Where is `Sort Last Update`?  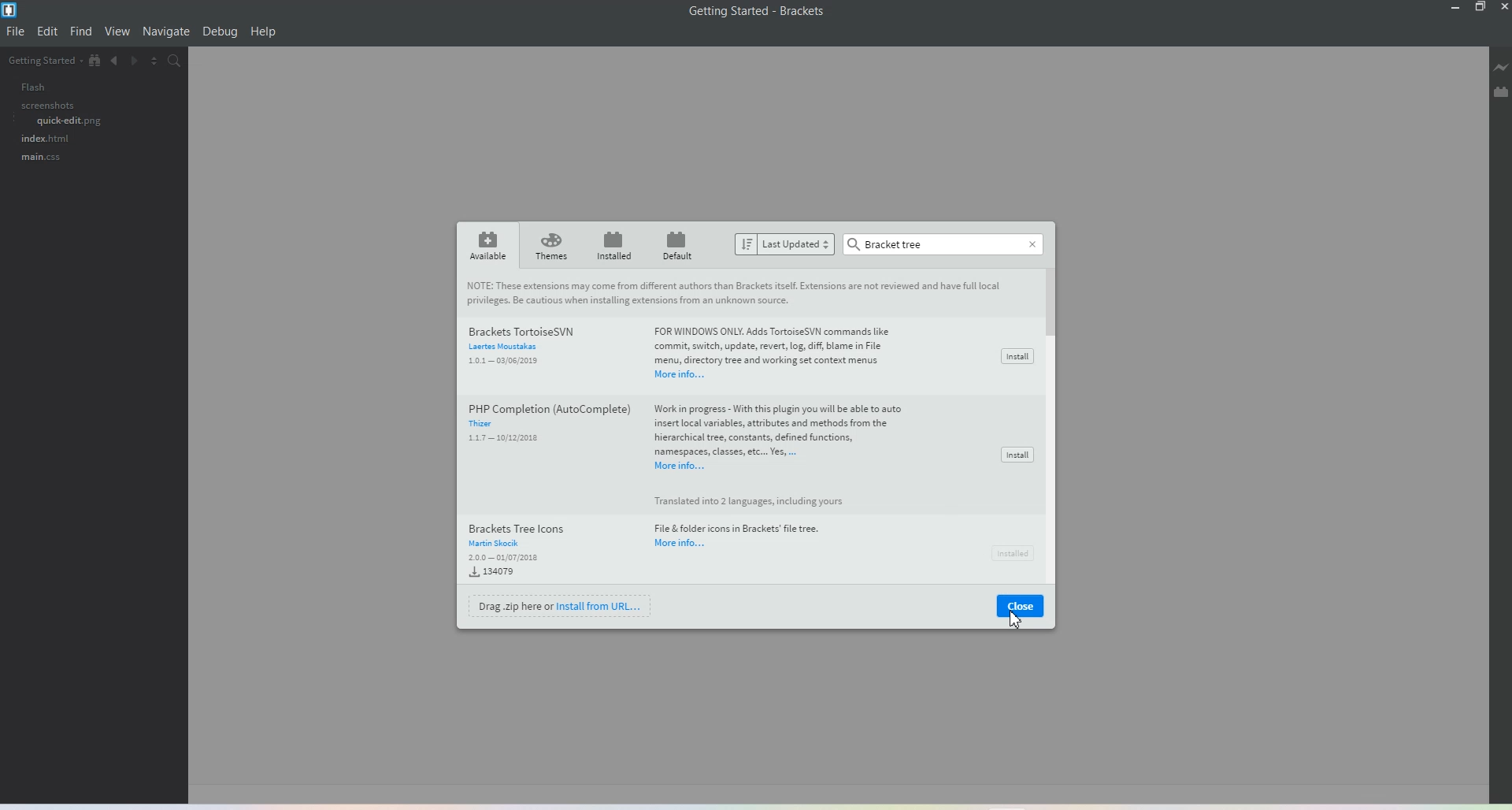 Sort Last Update is located at coordinates (785, 244).